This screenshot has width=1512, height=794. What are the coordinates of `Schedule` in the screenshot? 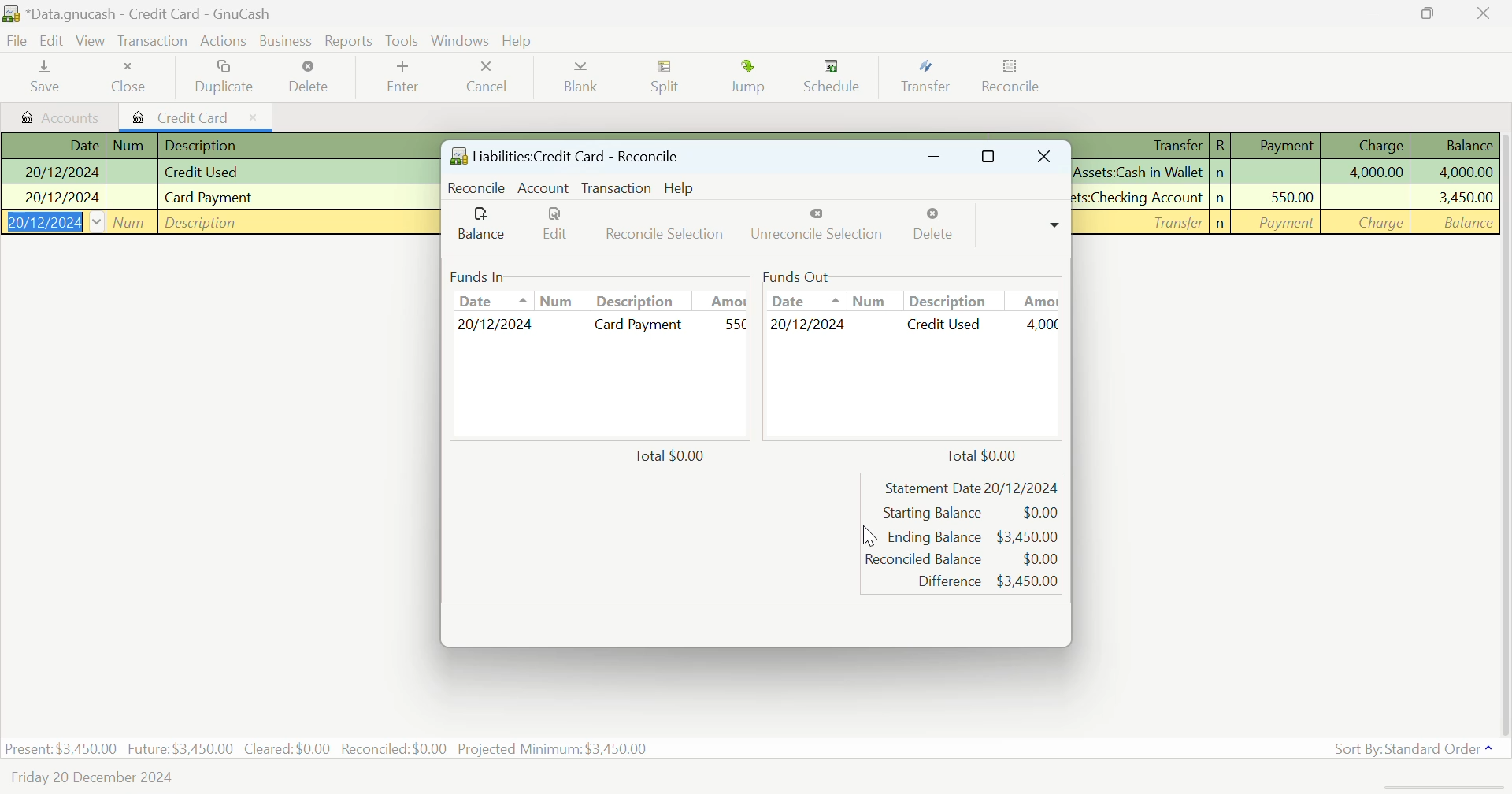 It's located at (832, 81).